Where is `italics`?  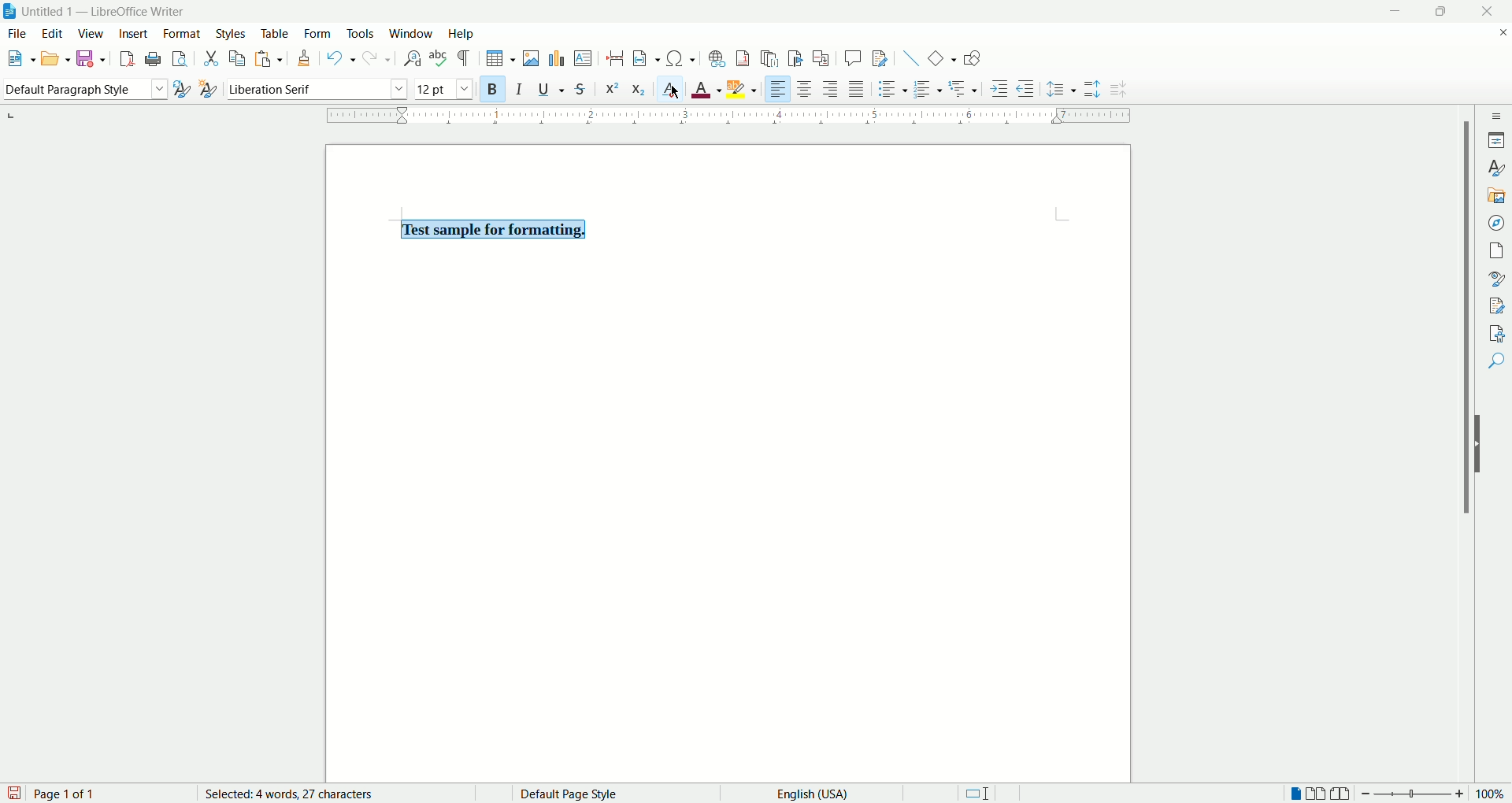 italics is located at coordinates (520, 90).